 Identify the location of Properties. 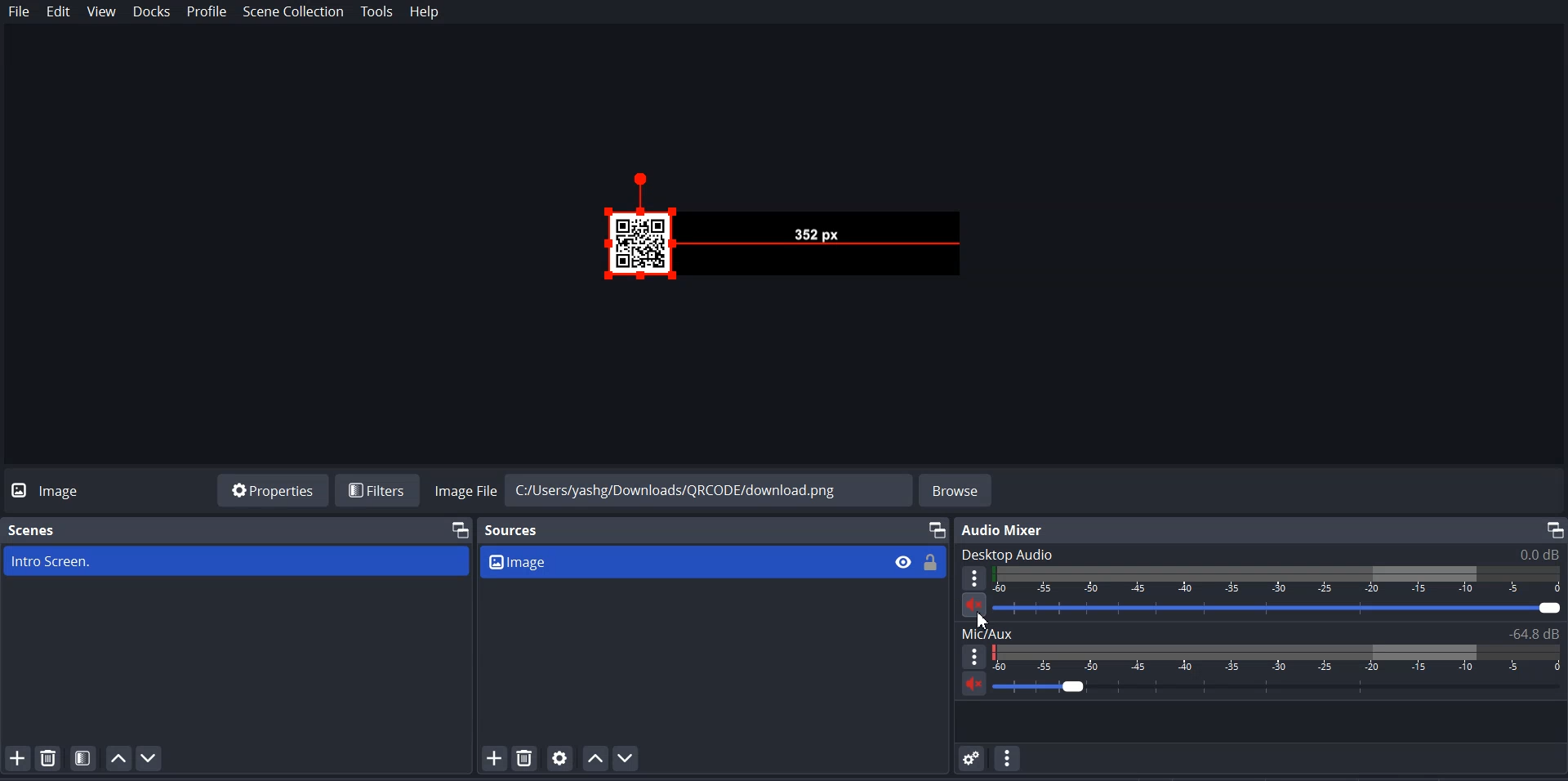
(272, 489).